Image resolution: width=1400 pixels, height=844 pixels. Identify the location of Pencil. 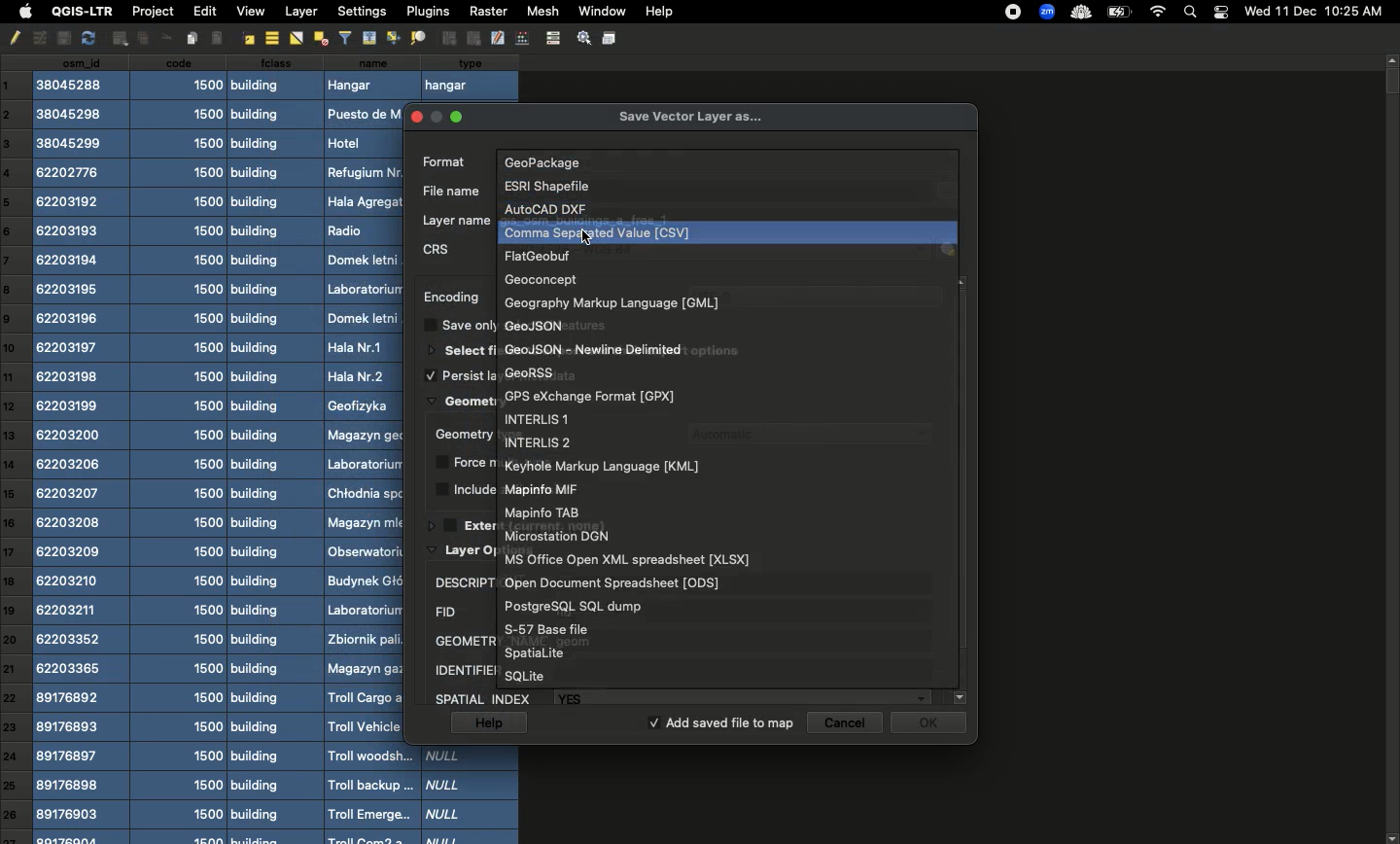
(13, 38).